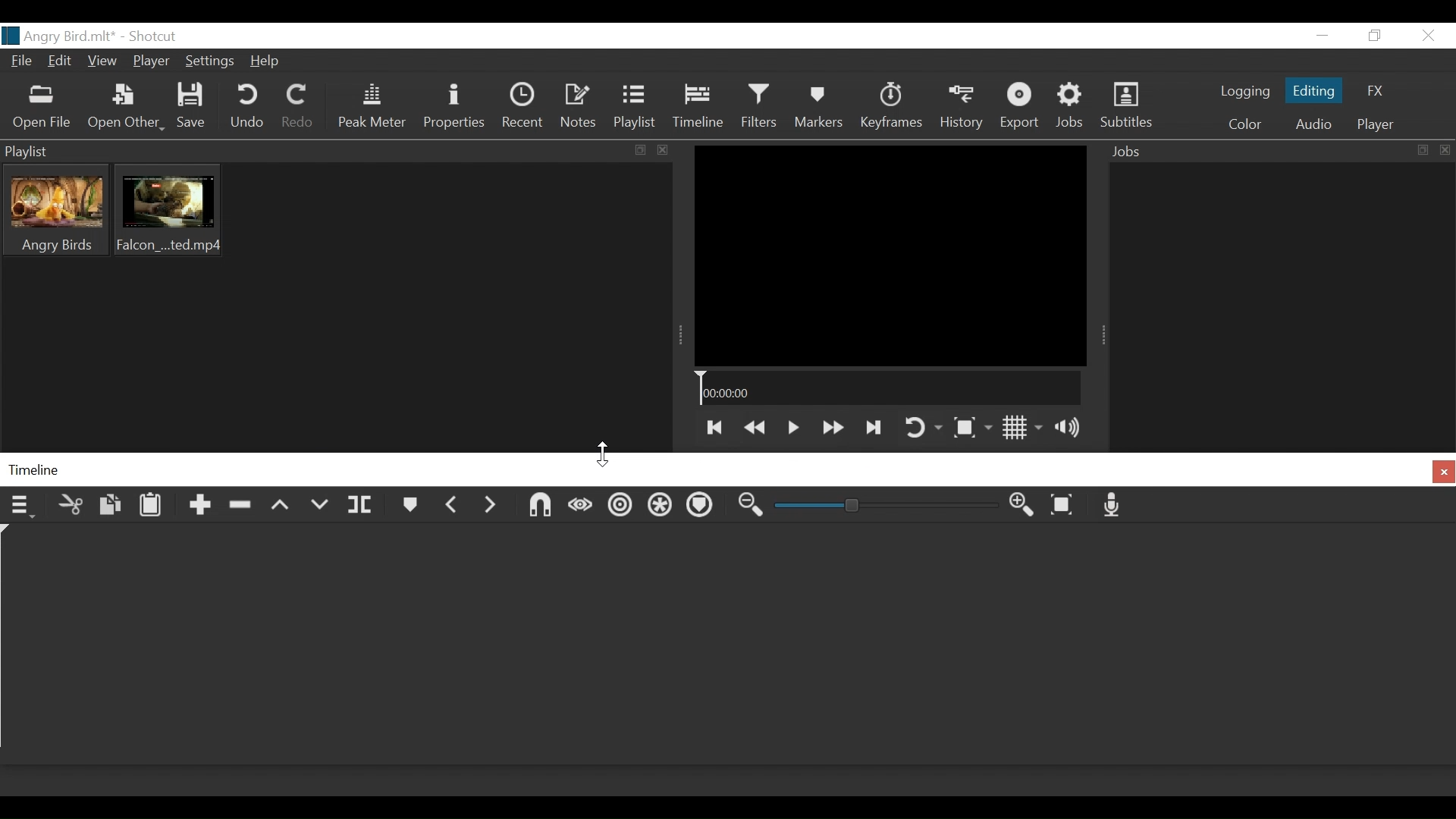 The height and width of the screenshot is (819, 1456). Describe the element at coordinates (1023, 507) in the screenshot. I see `Zoom timeline out` at that location.